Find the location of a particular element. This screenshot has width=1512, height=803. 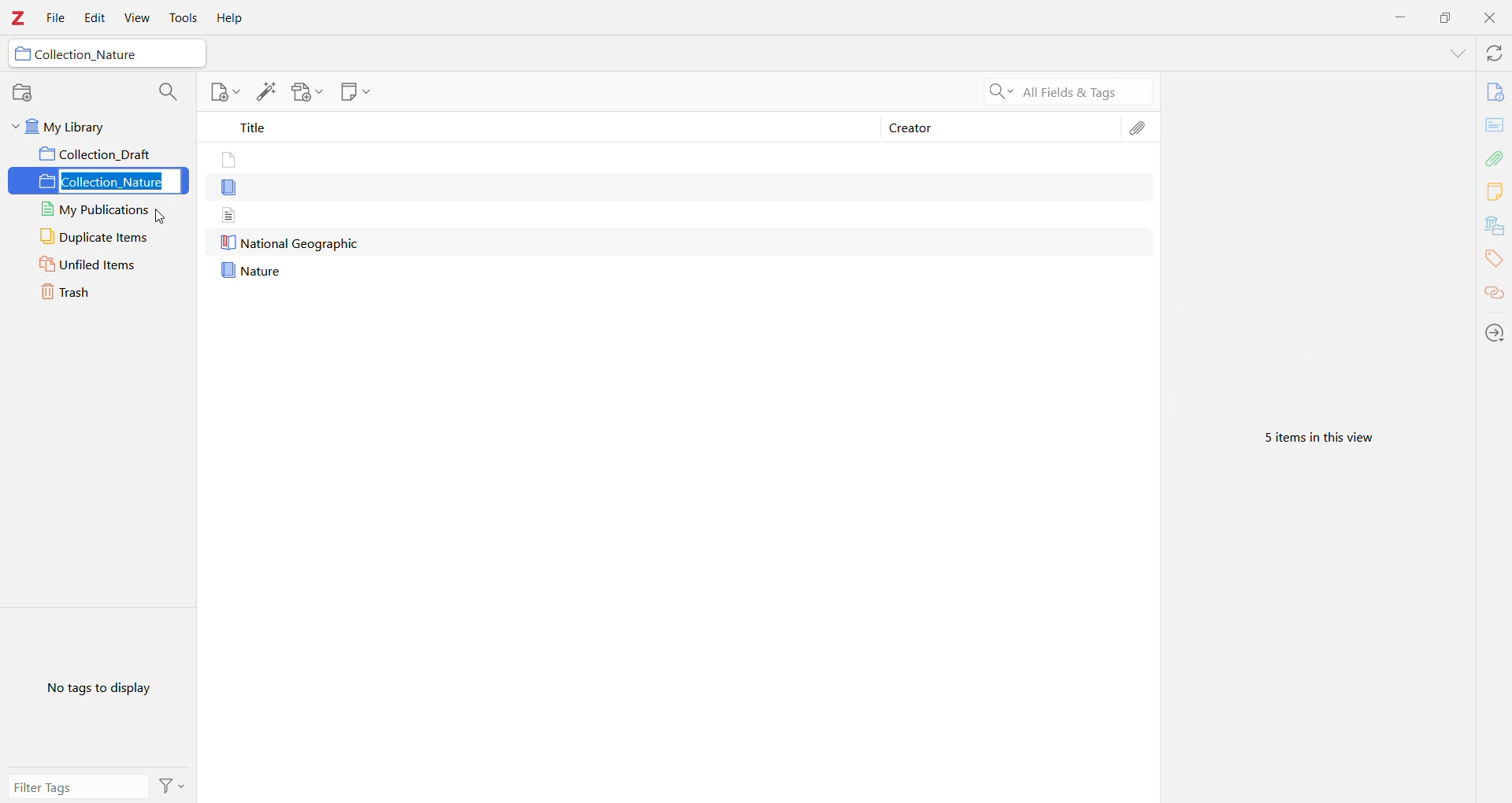

View is located at coordinates (139, 18).